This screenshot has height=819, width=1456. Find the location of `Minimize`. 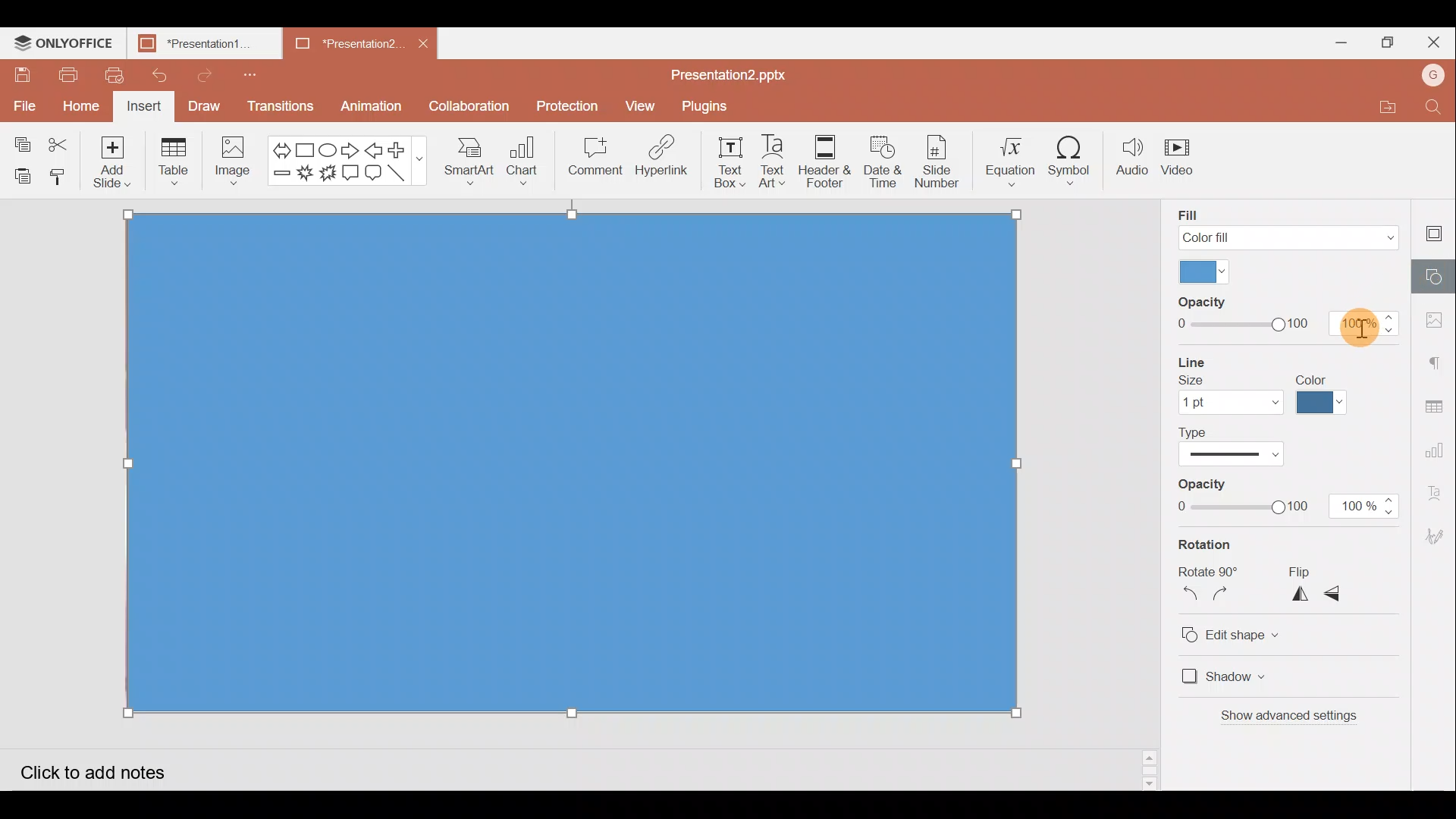

Minimize is located at coordinates (1341, 42).